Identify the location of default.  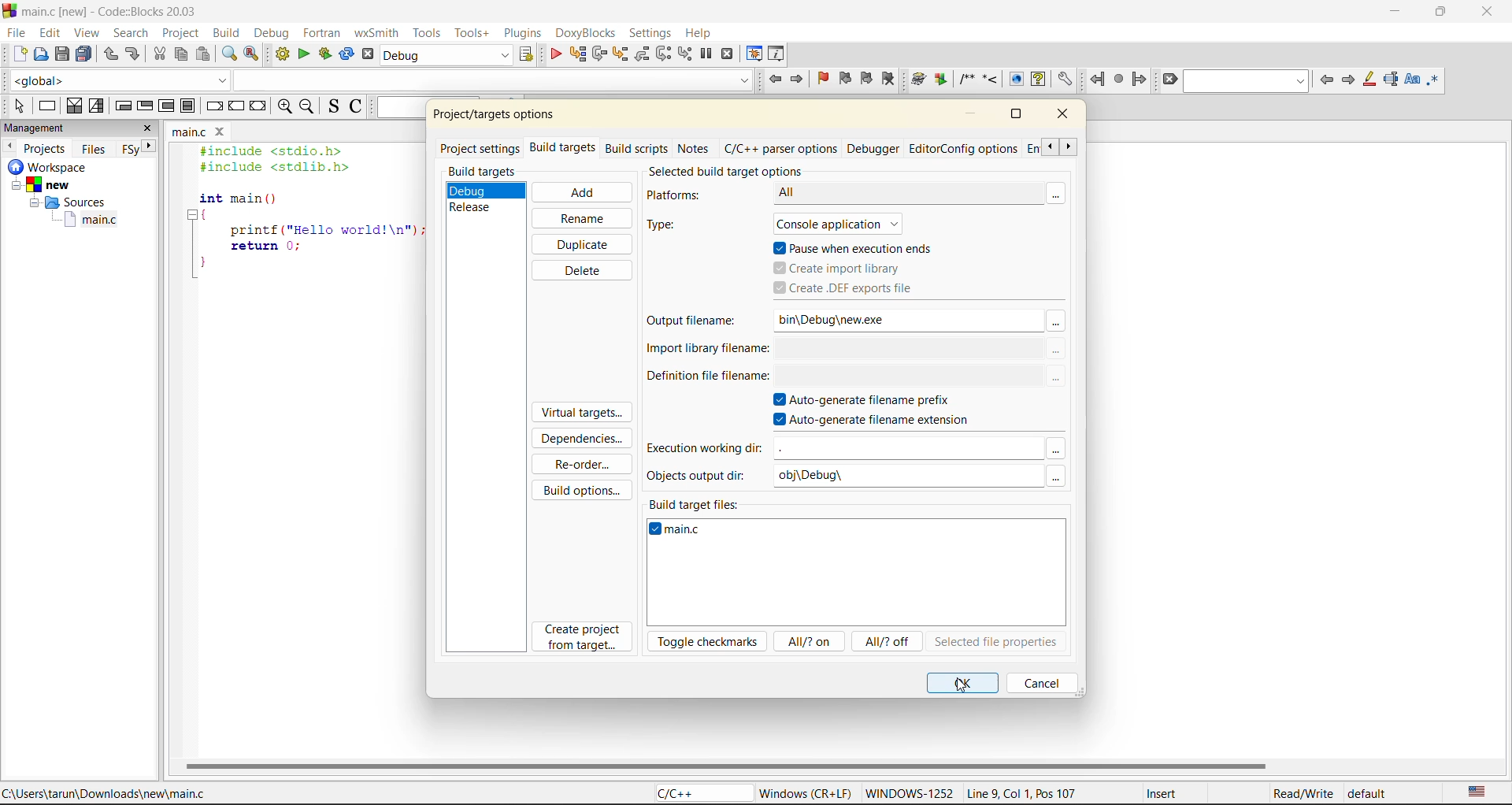
(1372, 796).